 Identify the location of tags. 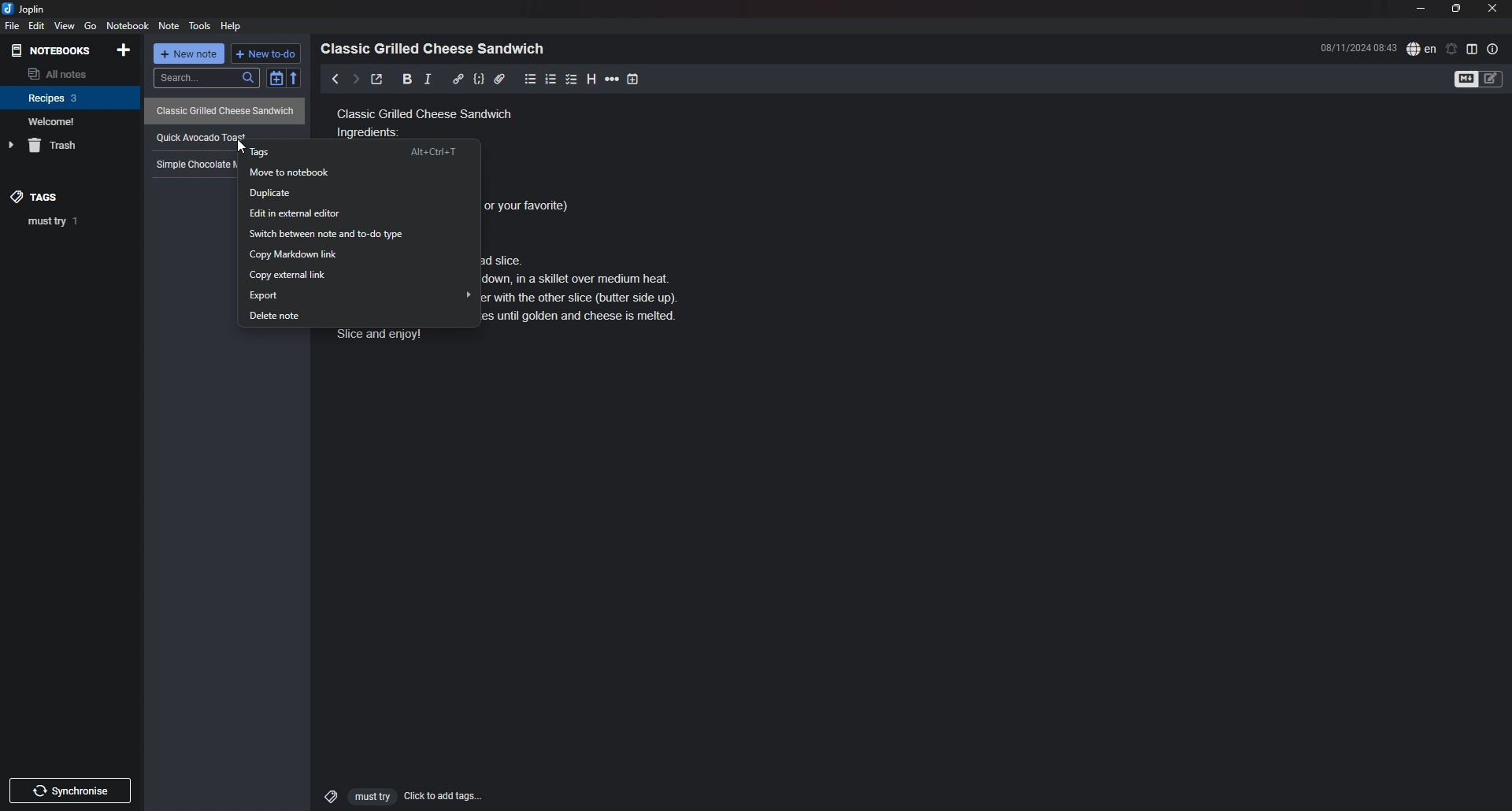
(48, 196).